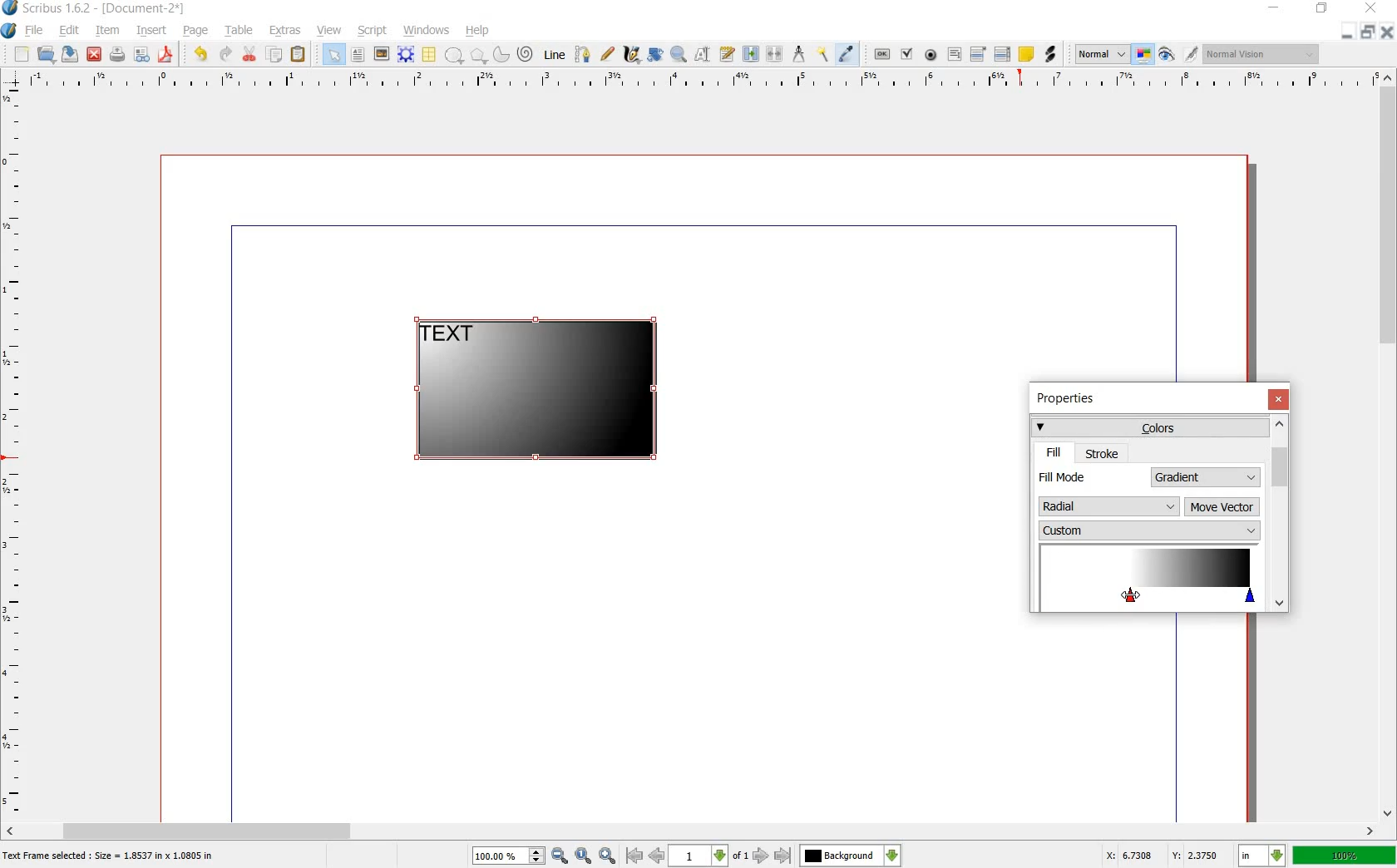 Image resolution: width=1397 pixels, height=868 pixels. I want to click on of 1, so click(739, 857).